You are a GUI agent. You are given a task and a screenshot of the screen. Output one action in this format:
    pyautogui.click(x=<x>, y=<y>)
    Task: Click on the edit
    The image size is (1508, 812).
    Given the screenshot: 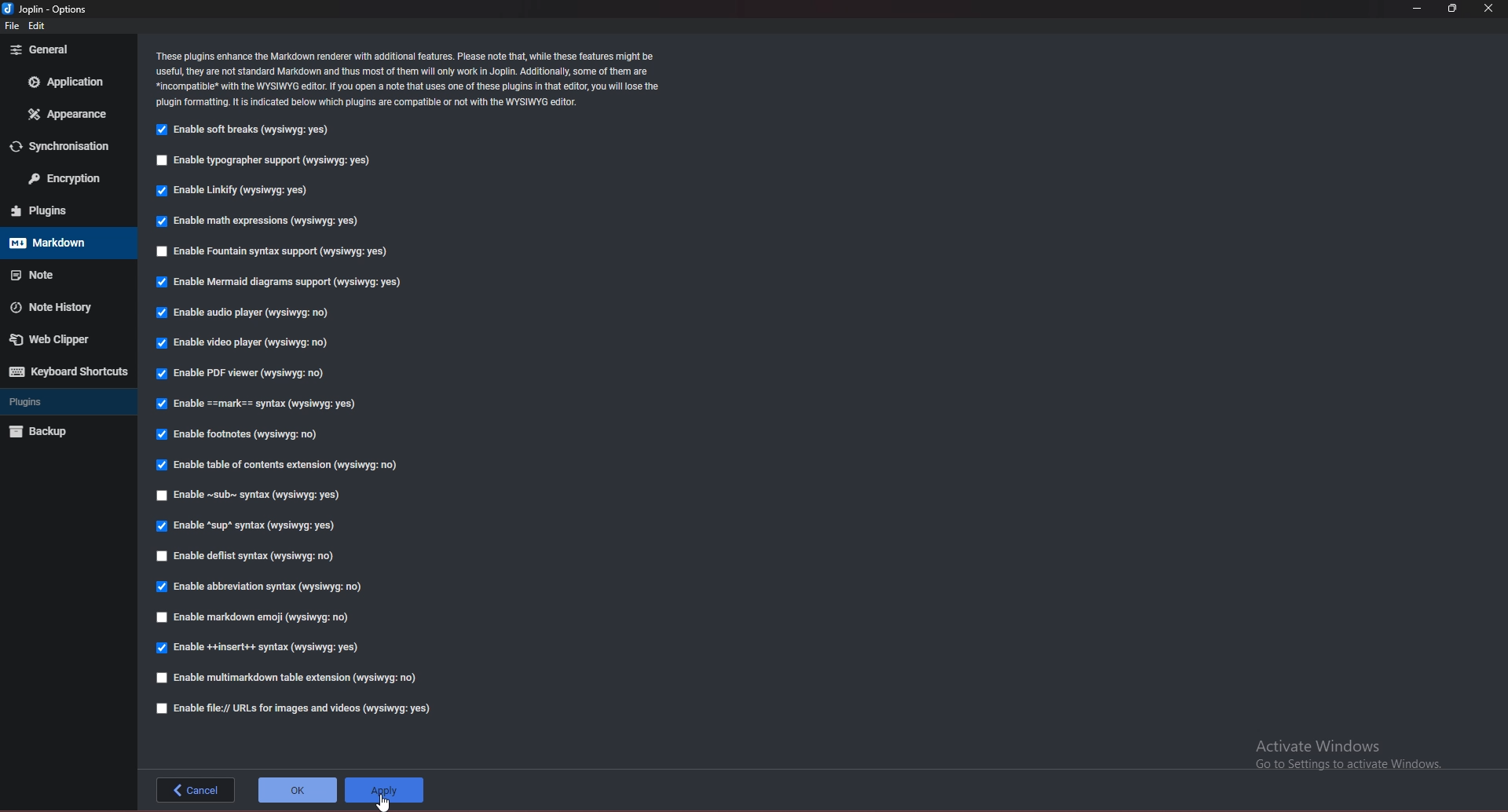 What is the action you would take?
    pyautogui.click(x=41, y=26)
    